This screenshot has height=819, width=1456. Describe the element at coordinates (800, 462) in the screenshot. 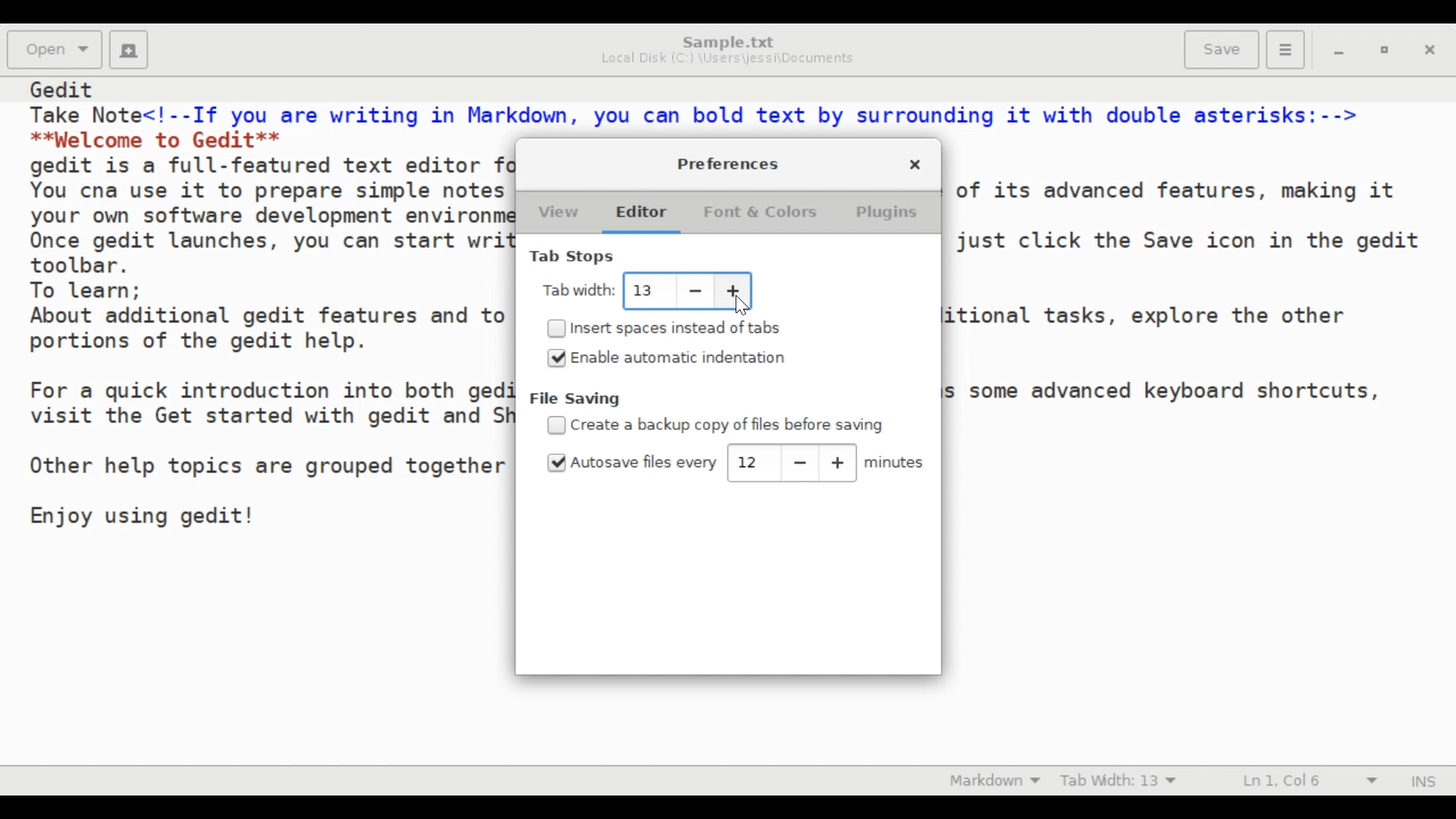

I see `decrease` at that location.